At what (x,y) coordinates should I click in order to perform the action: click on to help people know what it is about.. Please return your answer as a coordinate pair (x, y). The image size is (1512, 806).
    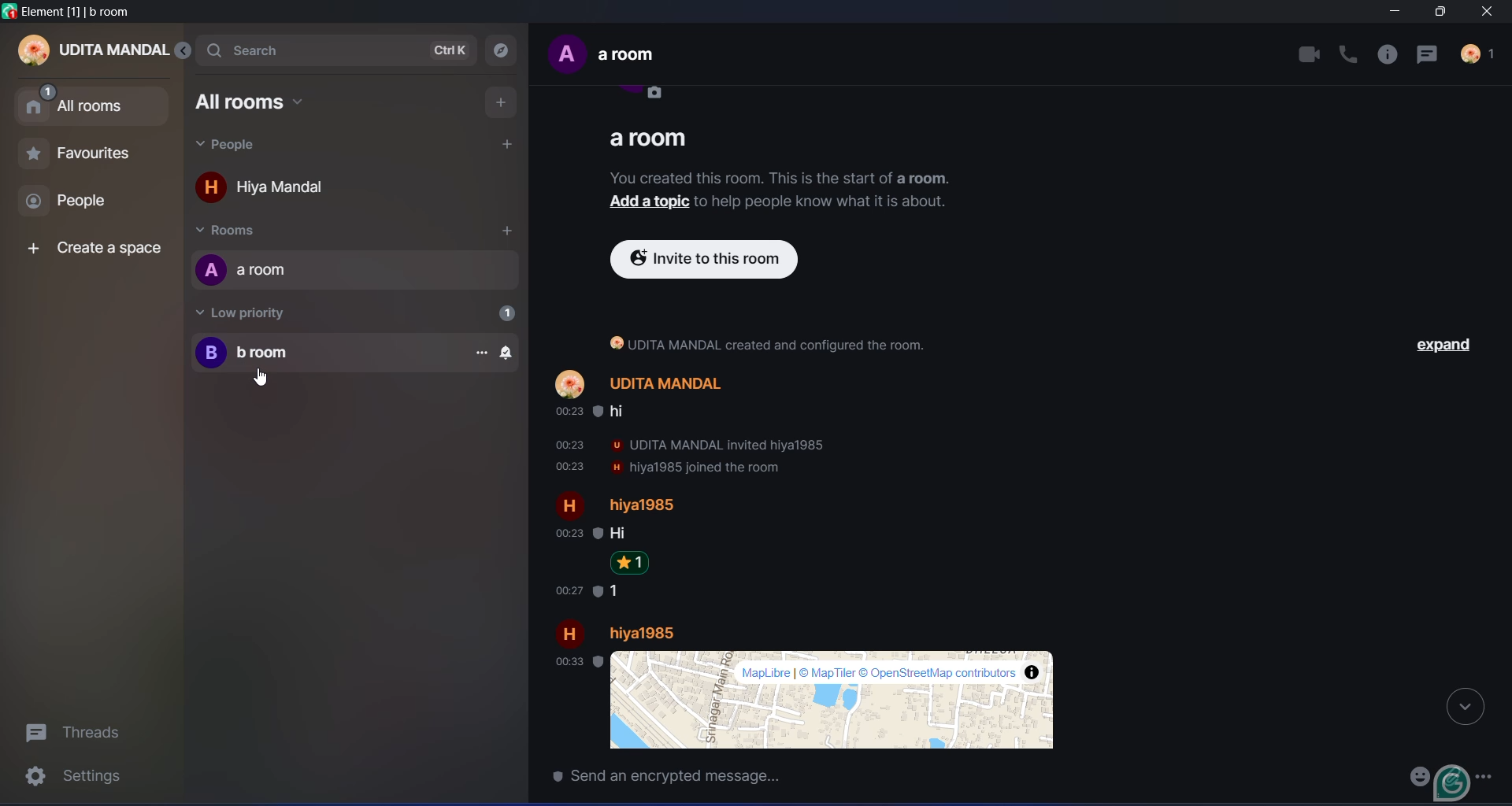
    Looking at the image, I should click on (828, 202).